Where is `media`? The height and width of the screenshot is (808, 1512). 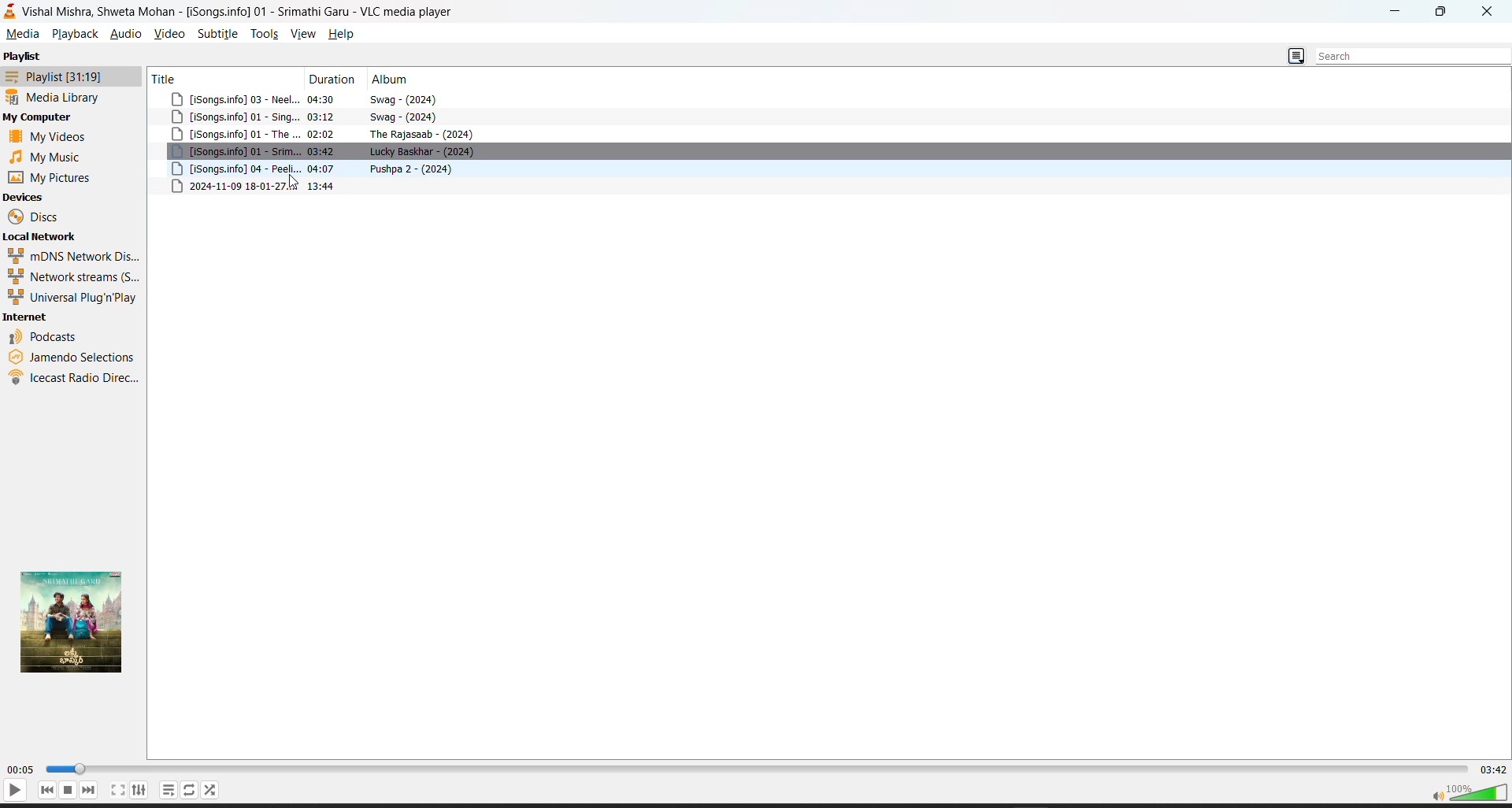
media is located at coordinates (22, 34).